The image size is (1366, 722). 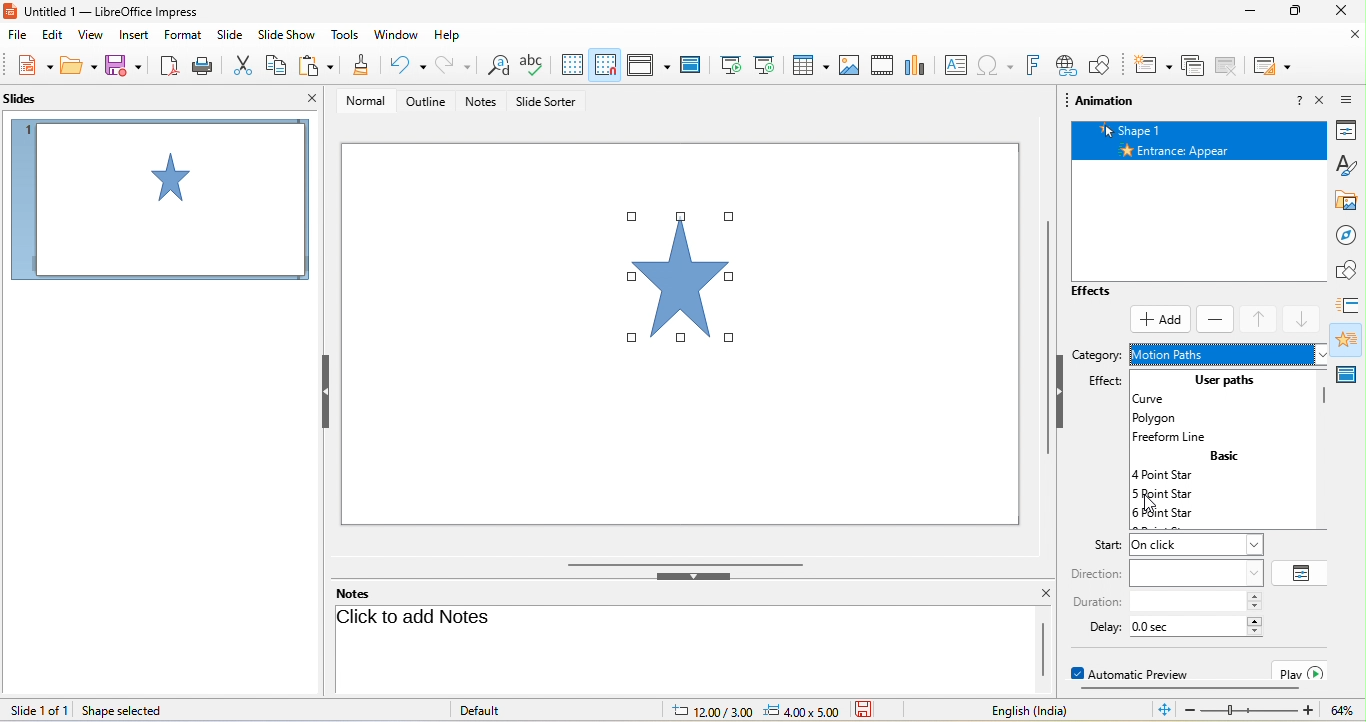 What do you see at coordinates (451, 65) in the screenshot?
I see `redo` at bounding box center [451, 65].